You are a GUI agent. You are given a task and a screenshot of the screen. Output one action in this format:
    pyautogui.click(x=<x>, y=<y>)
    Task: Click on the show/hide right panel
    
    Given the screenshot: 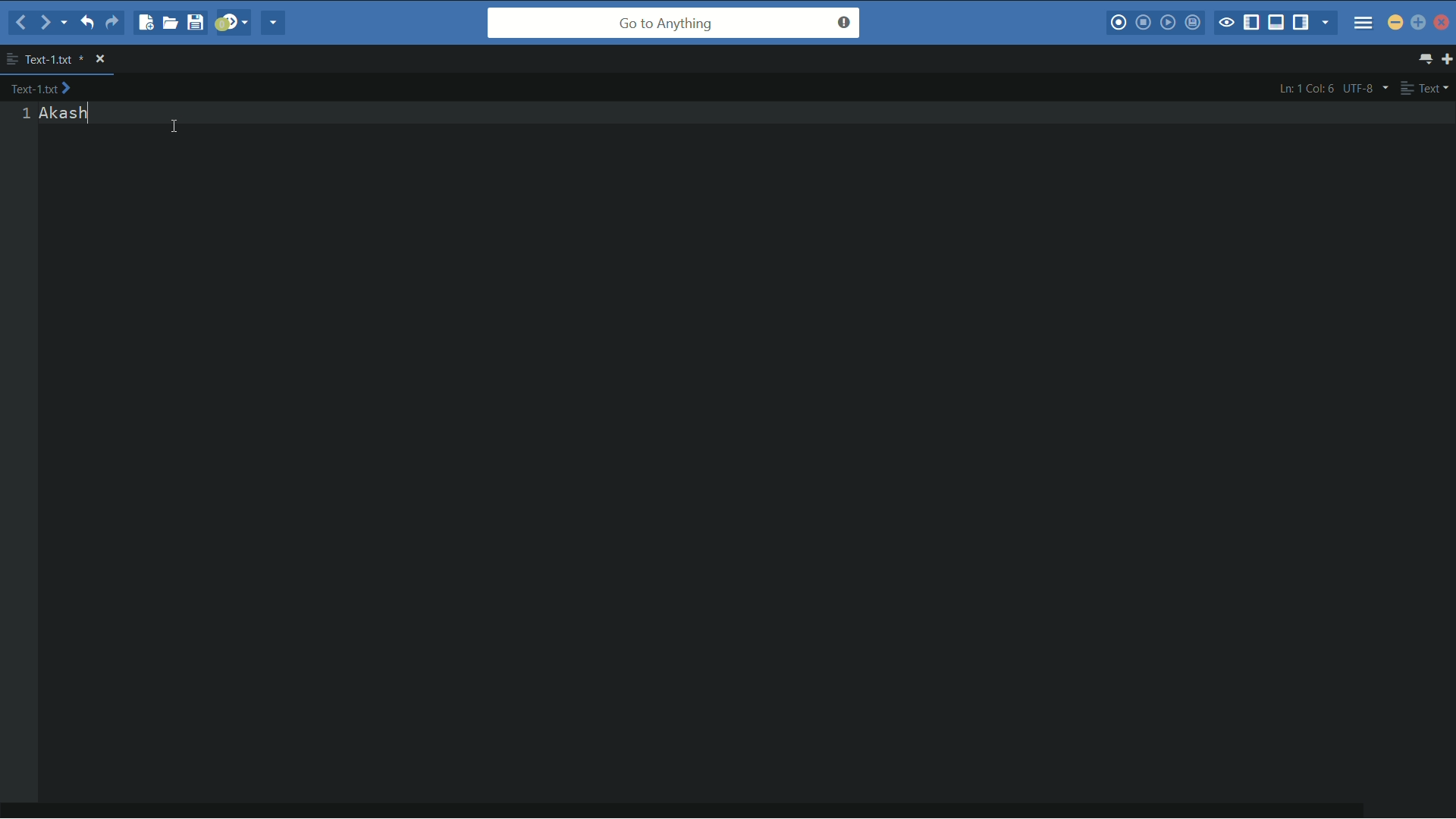 What is the action you would take?
    pyautogui.click(x=1301, y=22)
    